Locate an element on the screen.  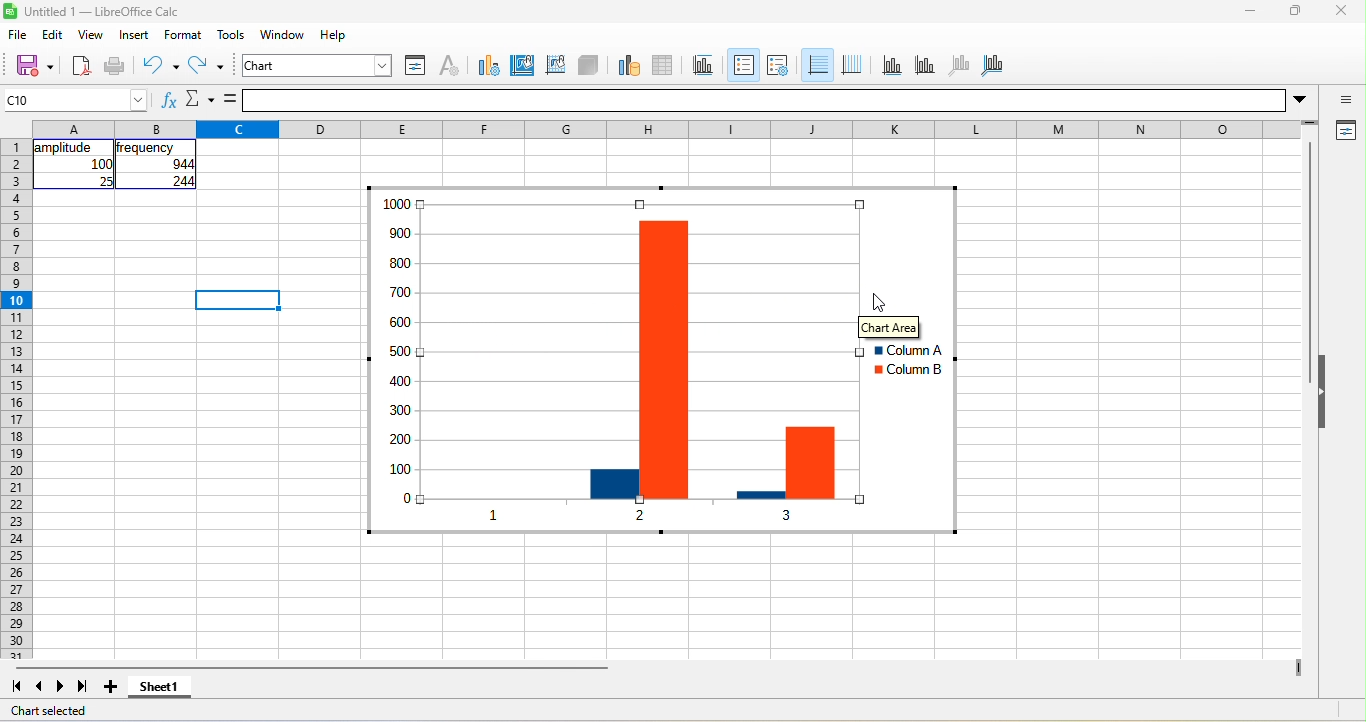
column headings is located at coordinates (672, 127).